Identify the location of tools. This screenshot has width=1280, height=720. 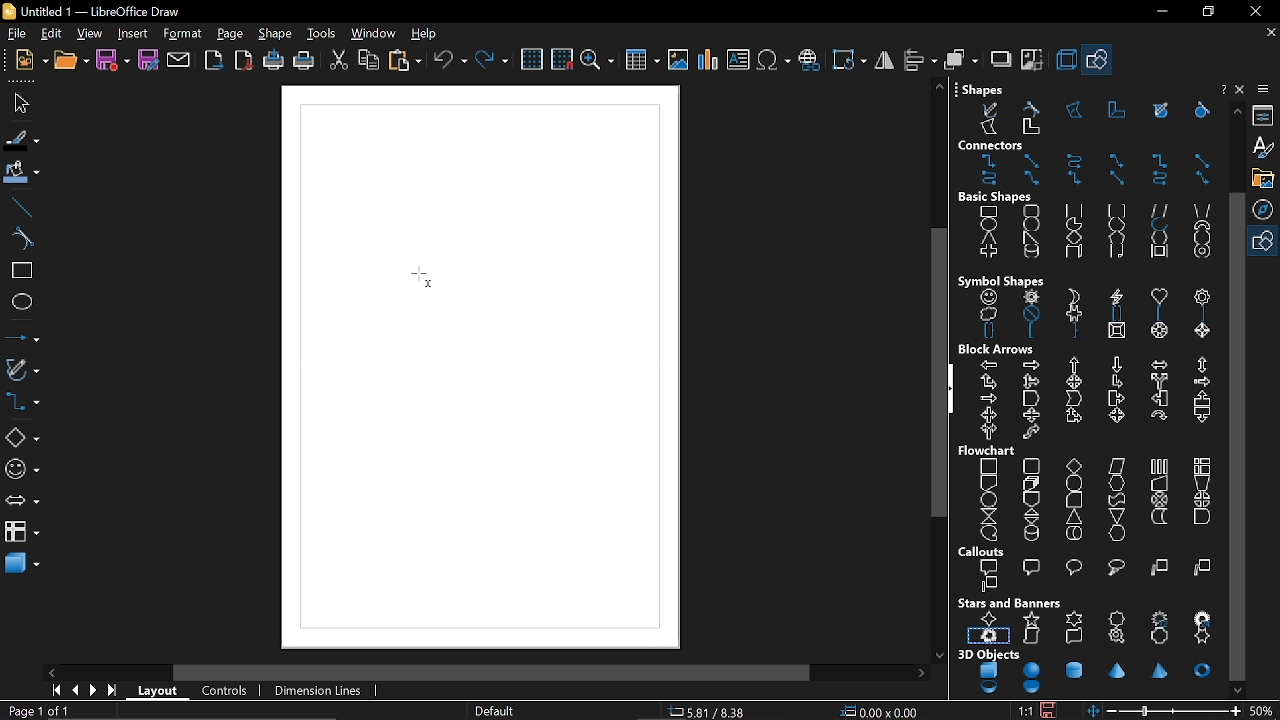
(322, 34).